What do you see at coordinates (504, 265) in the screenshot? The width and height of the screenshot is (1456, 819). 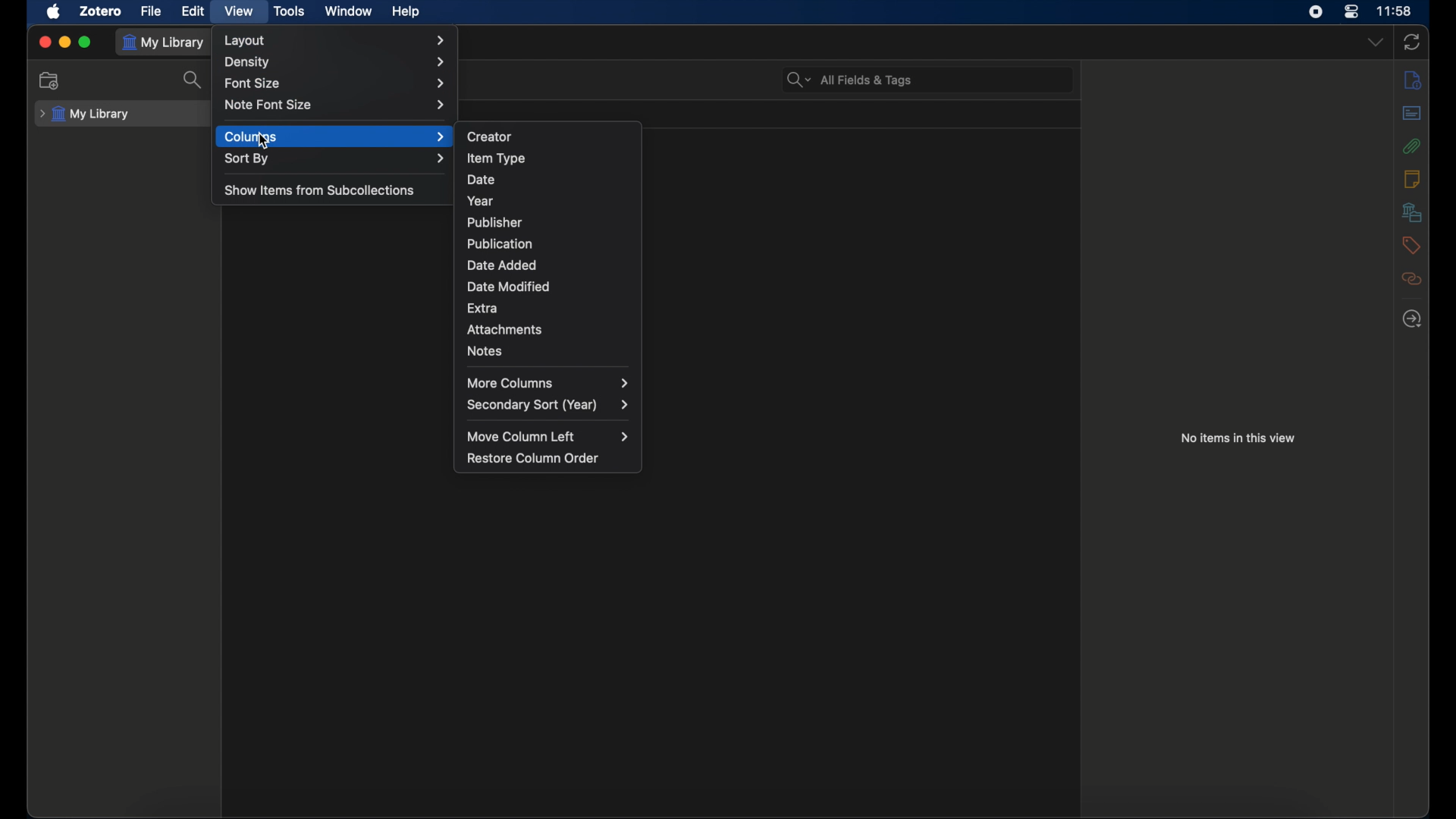 I see `date added` at bounding box center [504, 265].